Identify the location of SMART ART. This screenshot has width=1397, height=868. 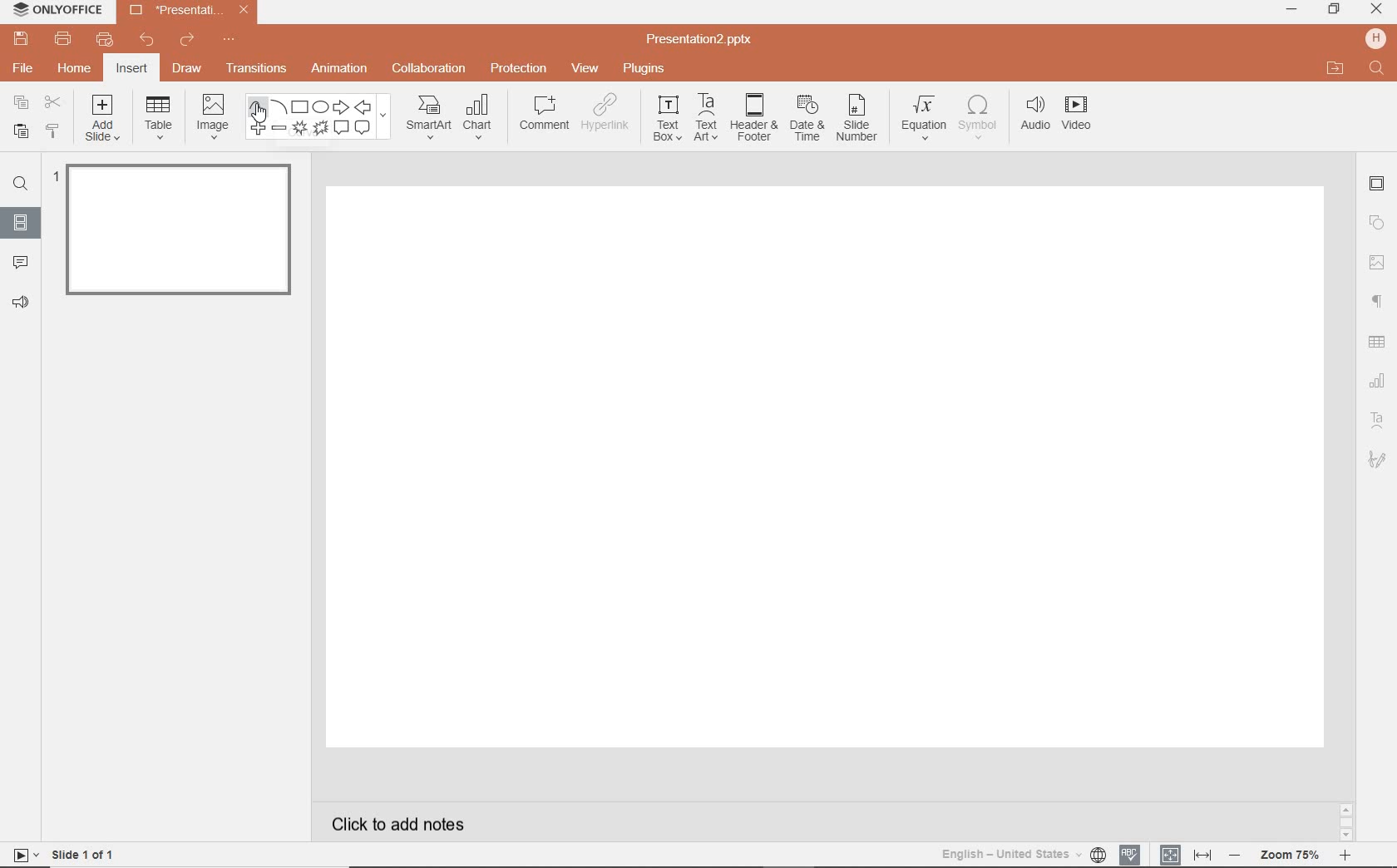
(427, 119).